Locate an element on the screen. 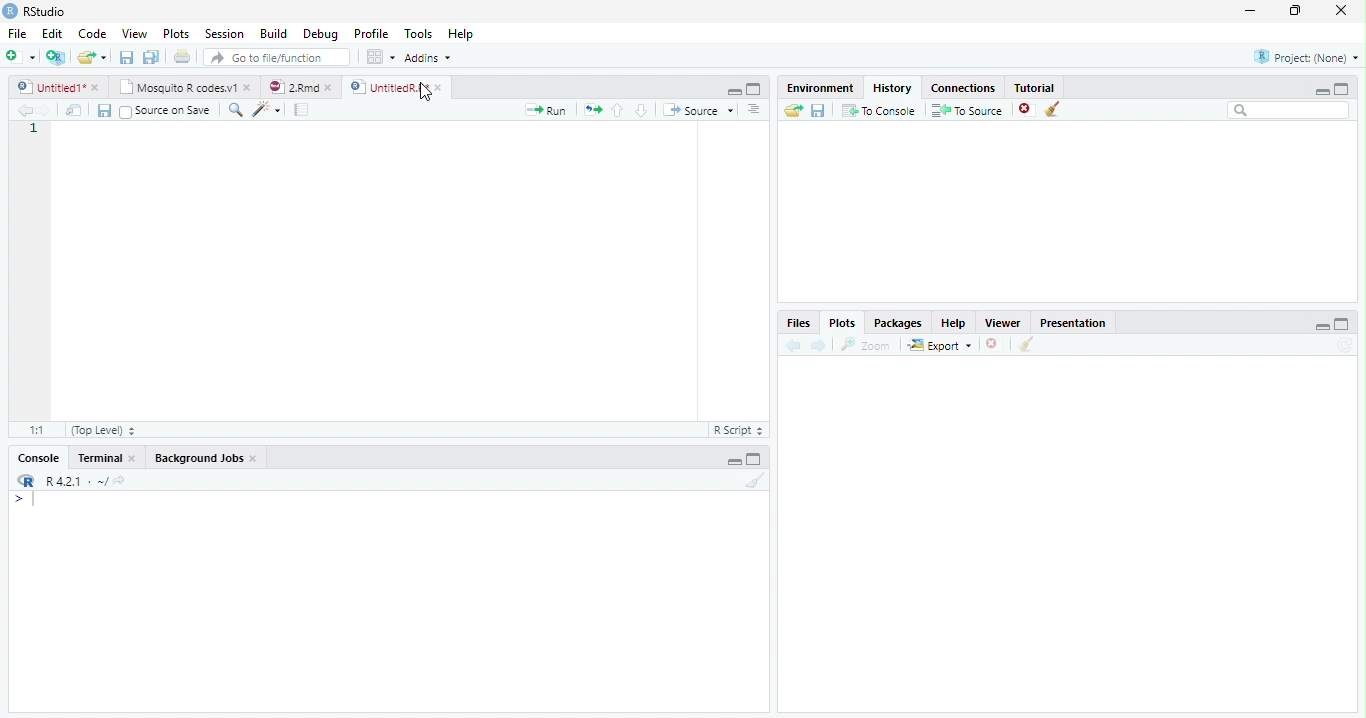 Image resolution: width=1366 pixels, height=718 pixels. Connections is located at coordinates (965, 86).